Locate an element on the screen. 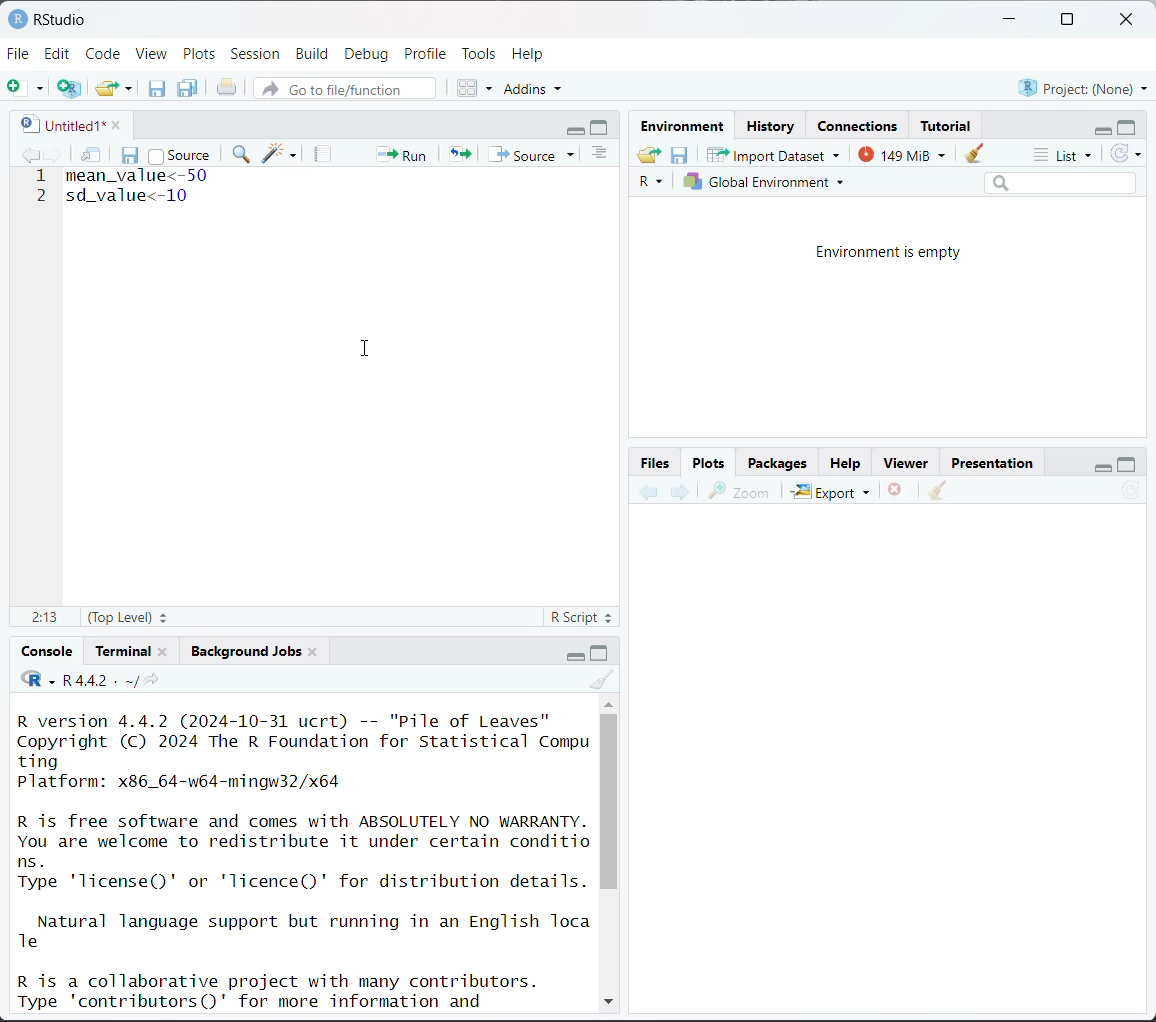  run is located at coordinates (399, 153).